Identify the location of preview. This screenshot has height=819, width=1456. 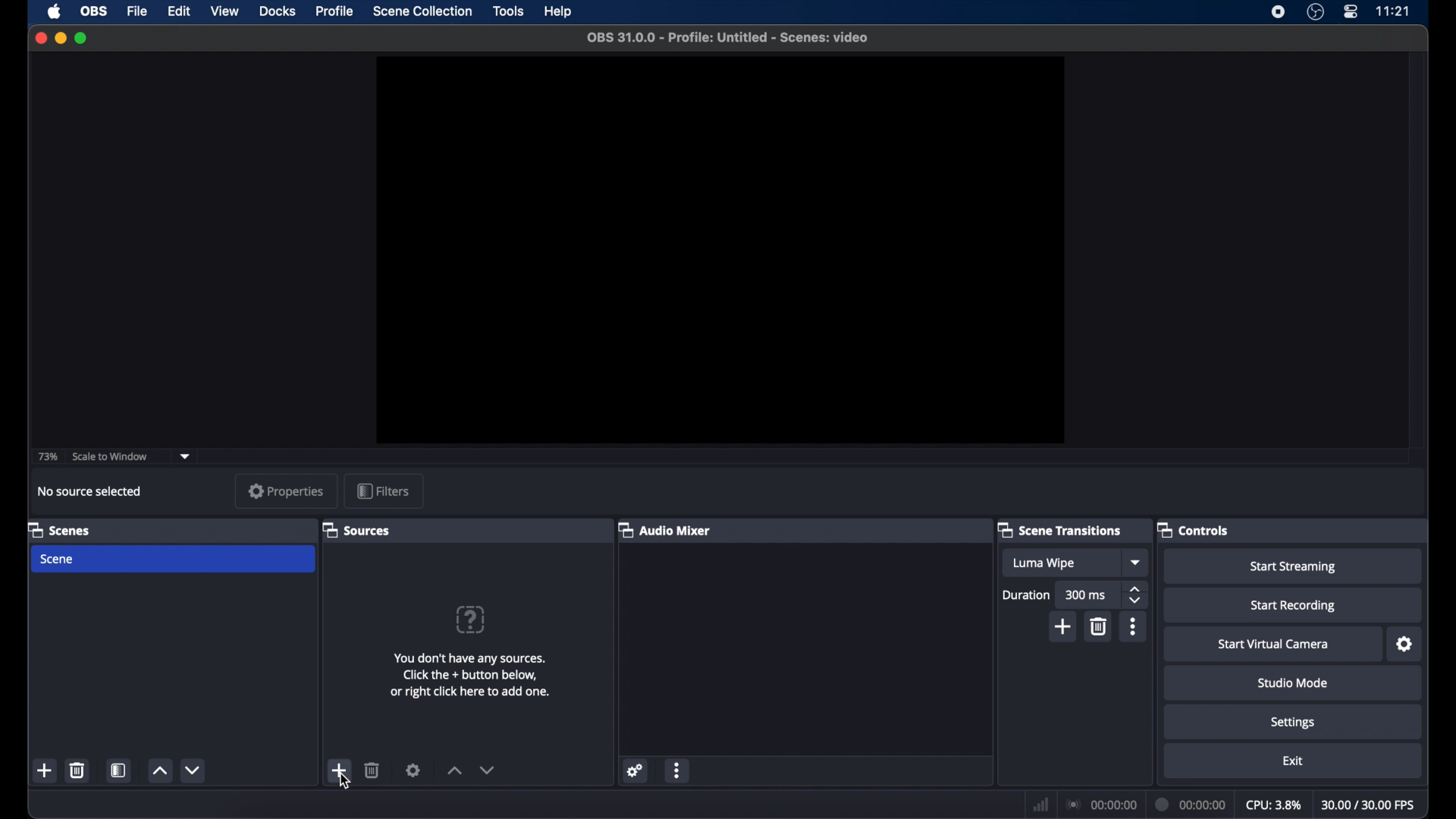
(720, 251).